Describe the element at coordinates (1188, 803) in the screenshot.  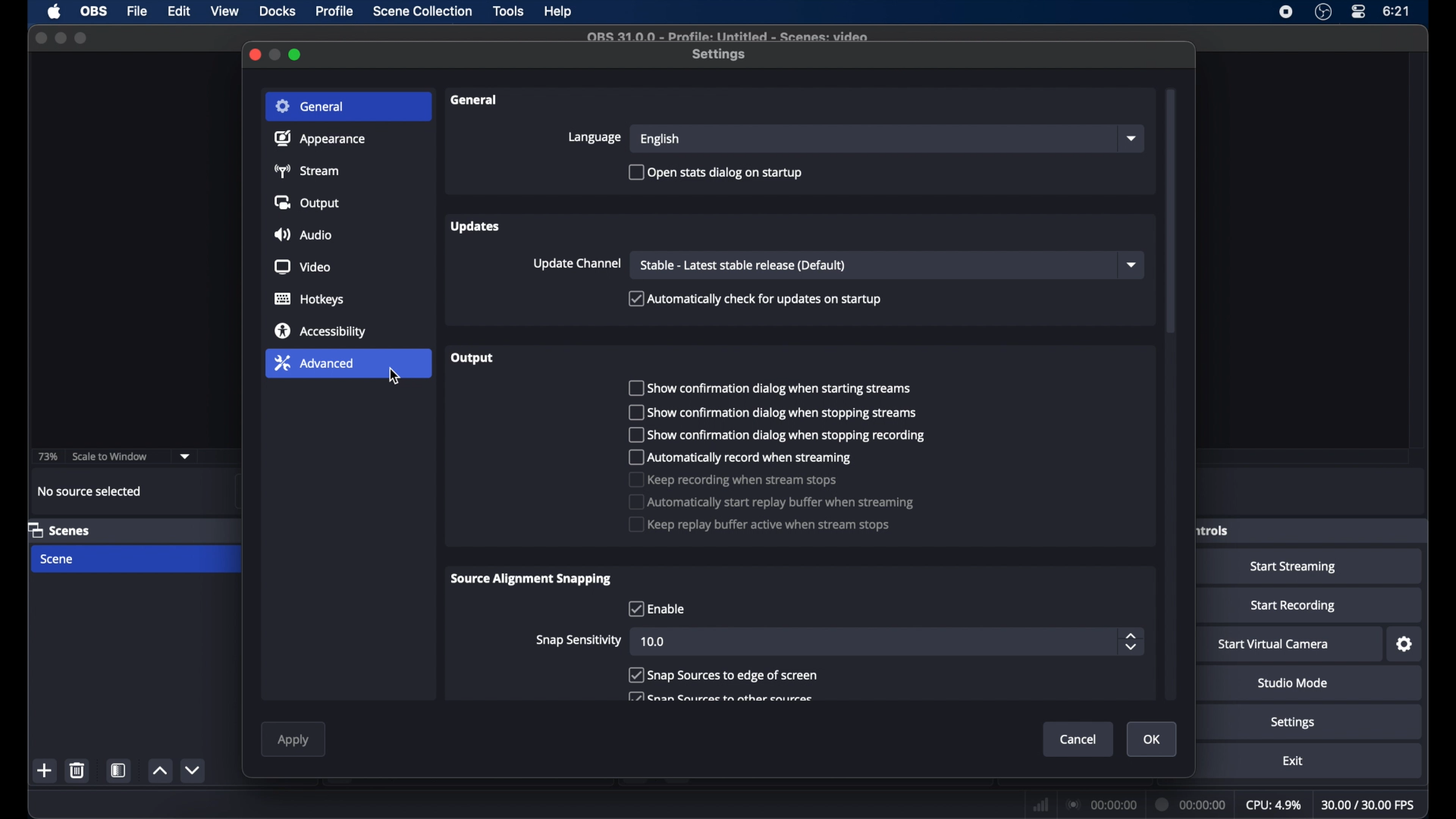
I see `duration` at that location.